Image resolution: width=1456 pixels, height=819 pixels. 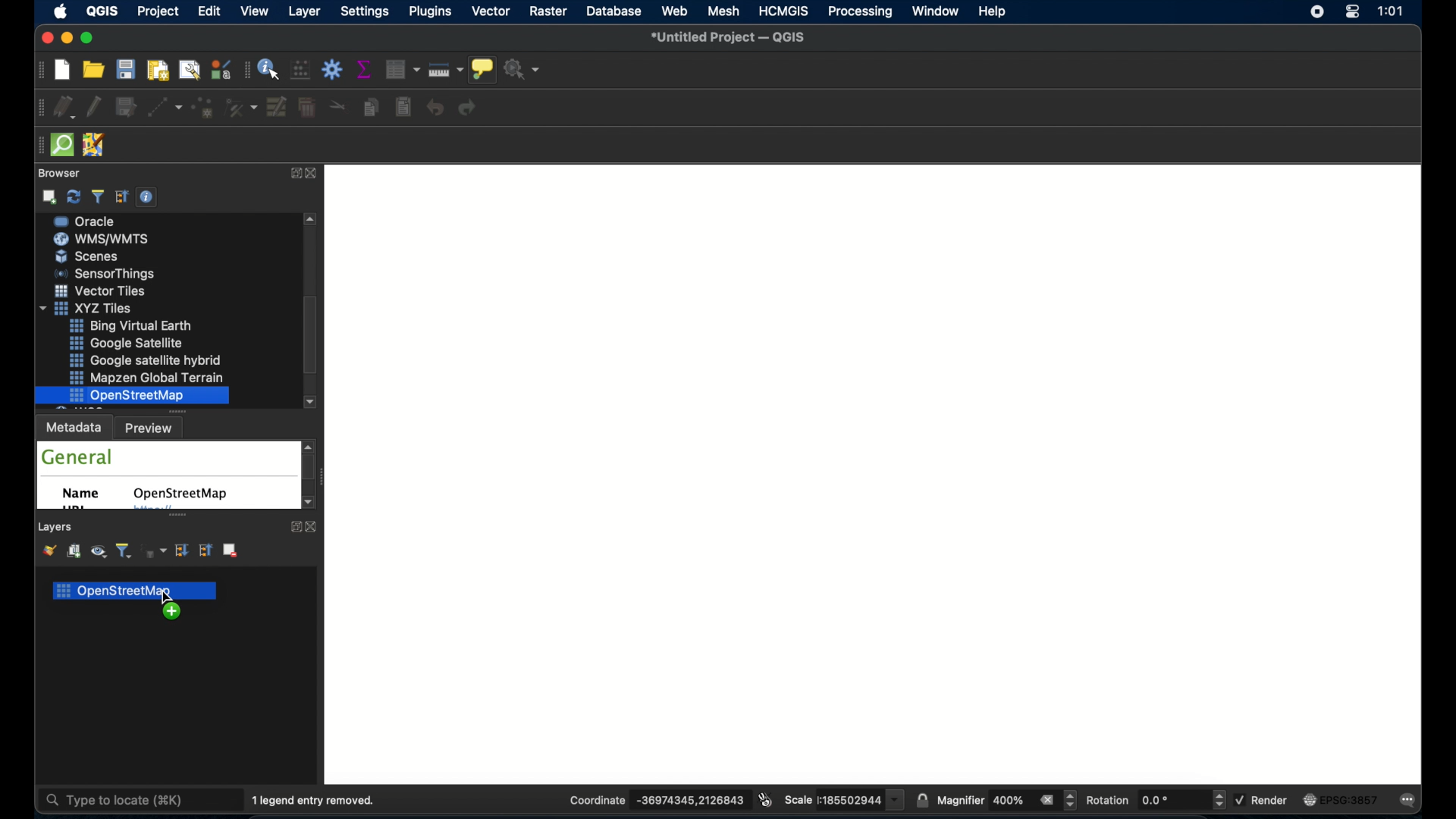 I want to click on show statistical summary, so click(x=365, y=68).